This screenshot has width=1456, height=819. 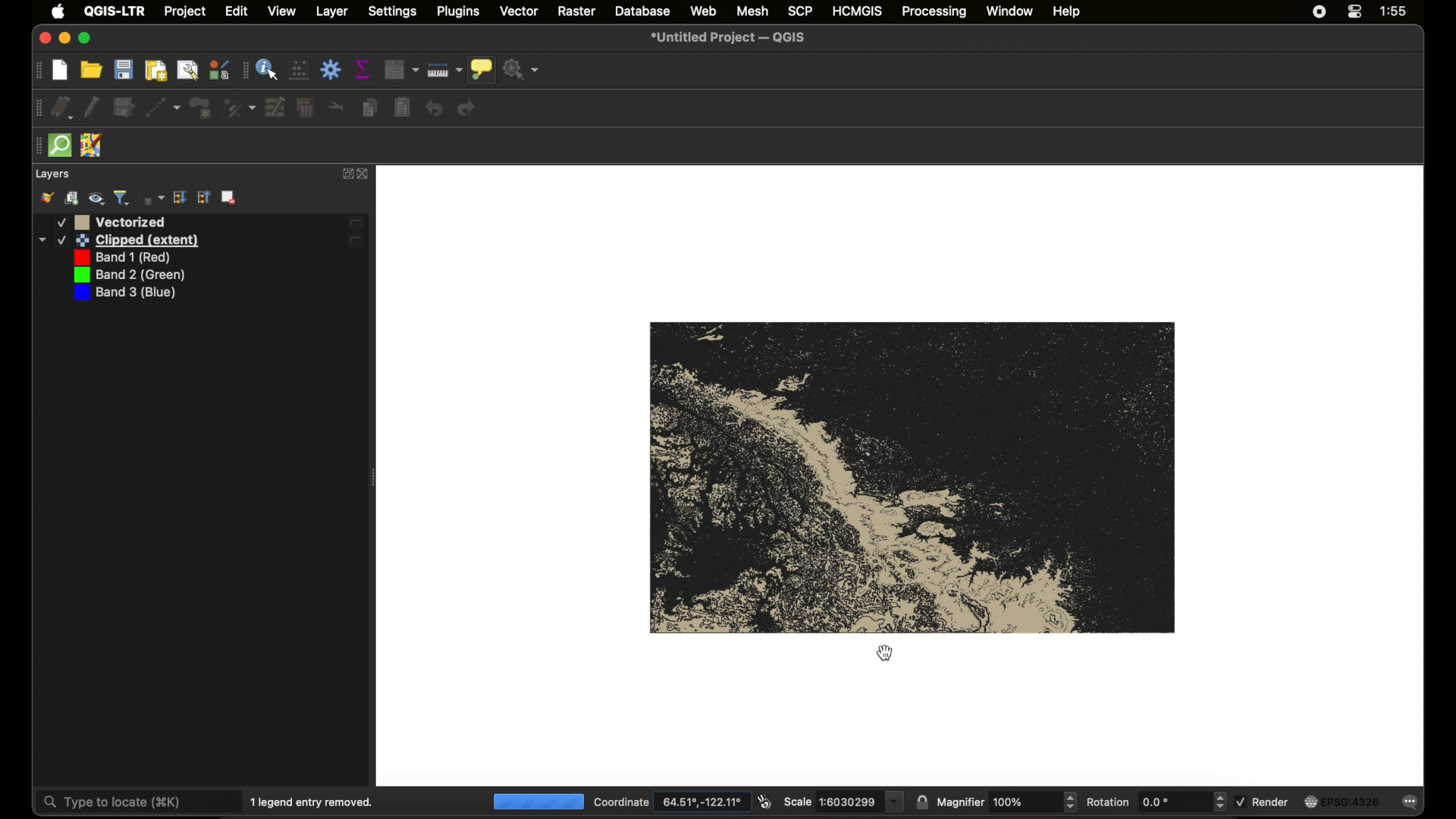 I want to click on lock scale, so click(x=921, y=804).